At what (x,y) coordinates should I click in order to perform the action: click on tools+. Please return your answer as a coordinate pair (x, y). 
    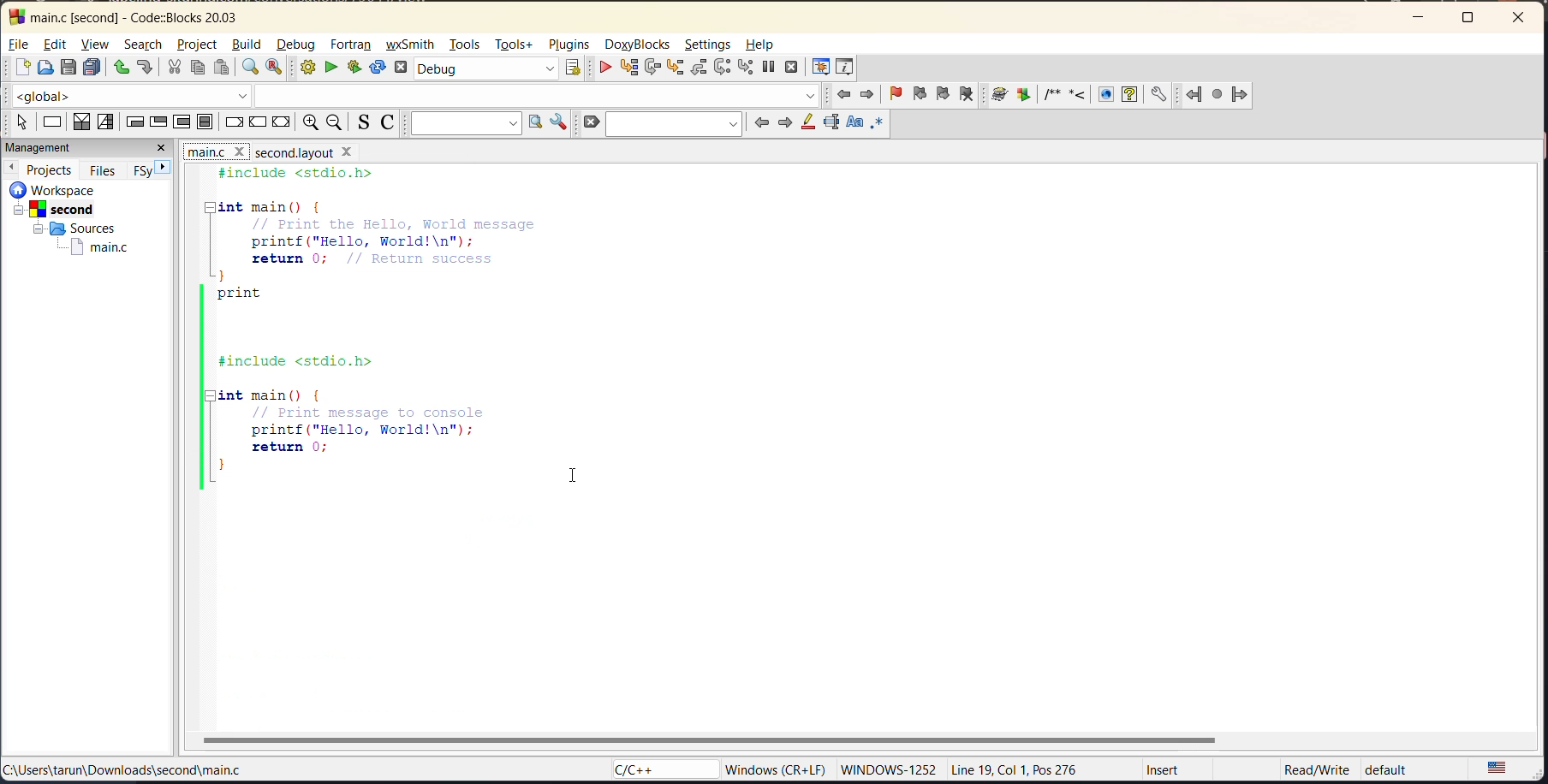
    Looking at the image, I should click on (513, 45).